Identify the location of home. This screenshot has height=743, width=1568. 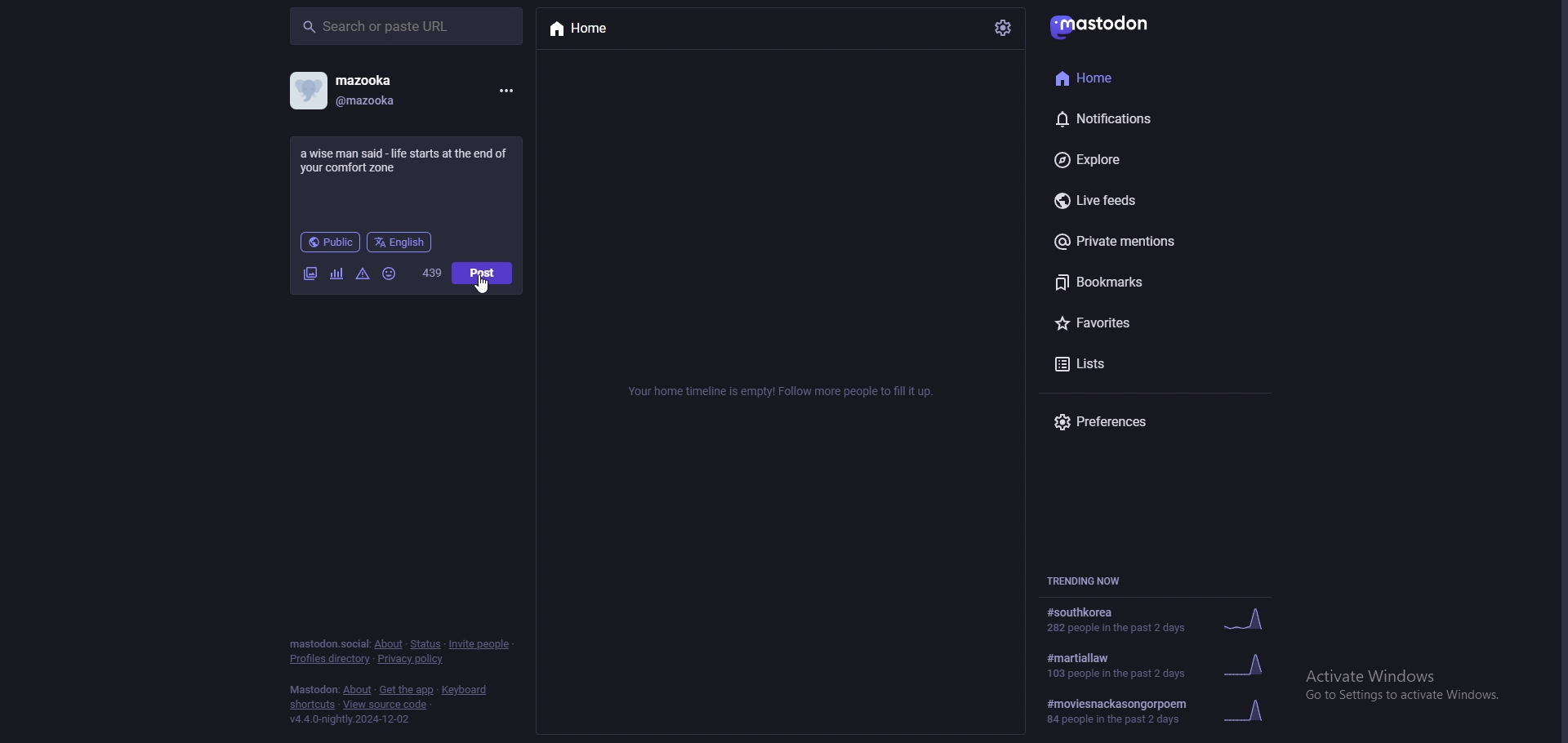
(1122, 78).